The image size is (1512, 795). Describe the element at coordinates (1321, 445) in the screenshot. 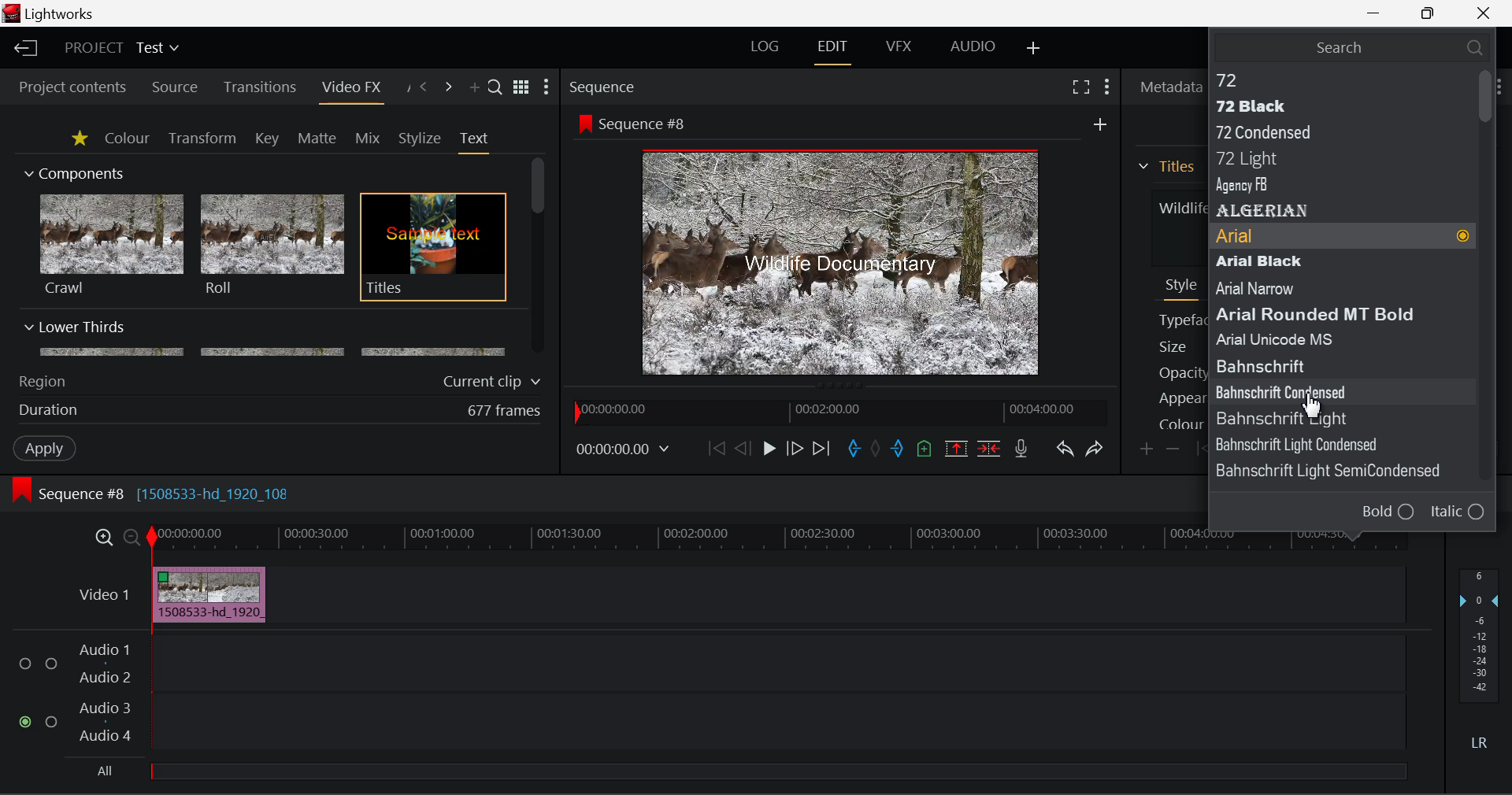

I see `Bahnschrift` at that location.